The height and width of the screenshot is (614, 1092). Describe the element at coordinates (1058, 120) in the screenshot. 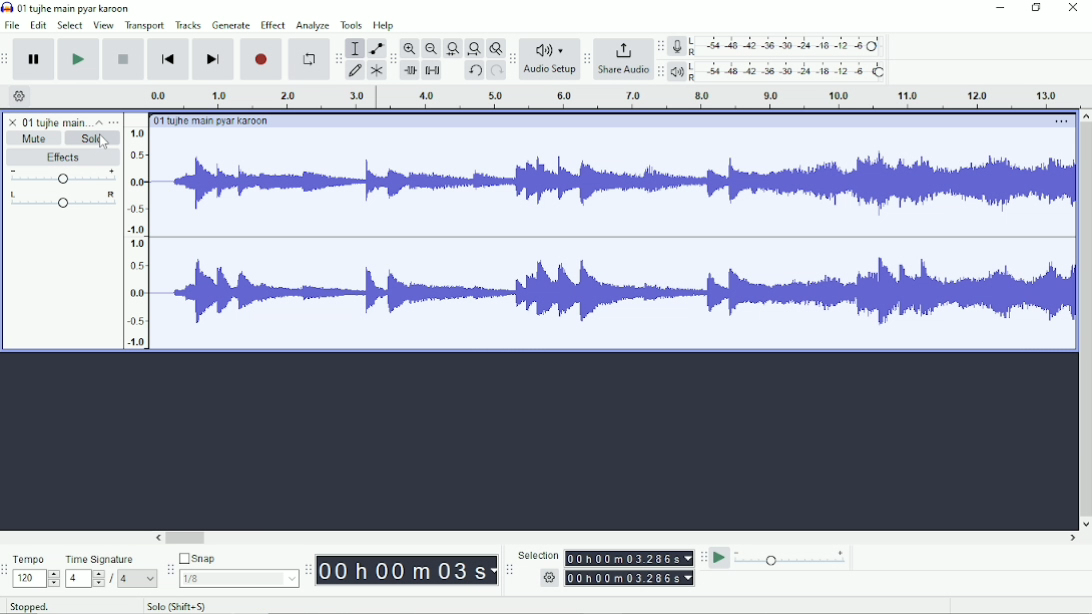

I see `More options` at that location.